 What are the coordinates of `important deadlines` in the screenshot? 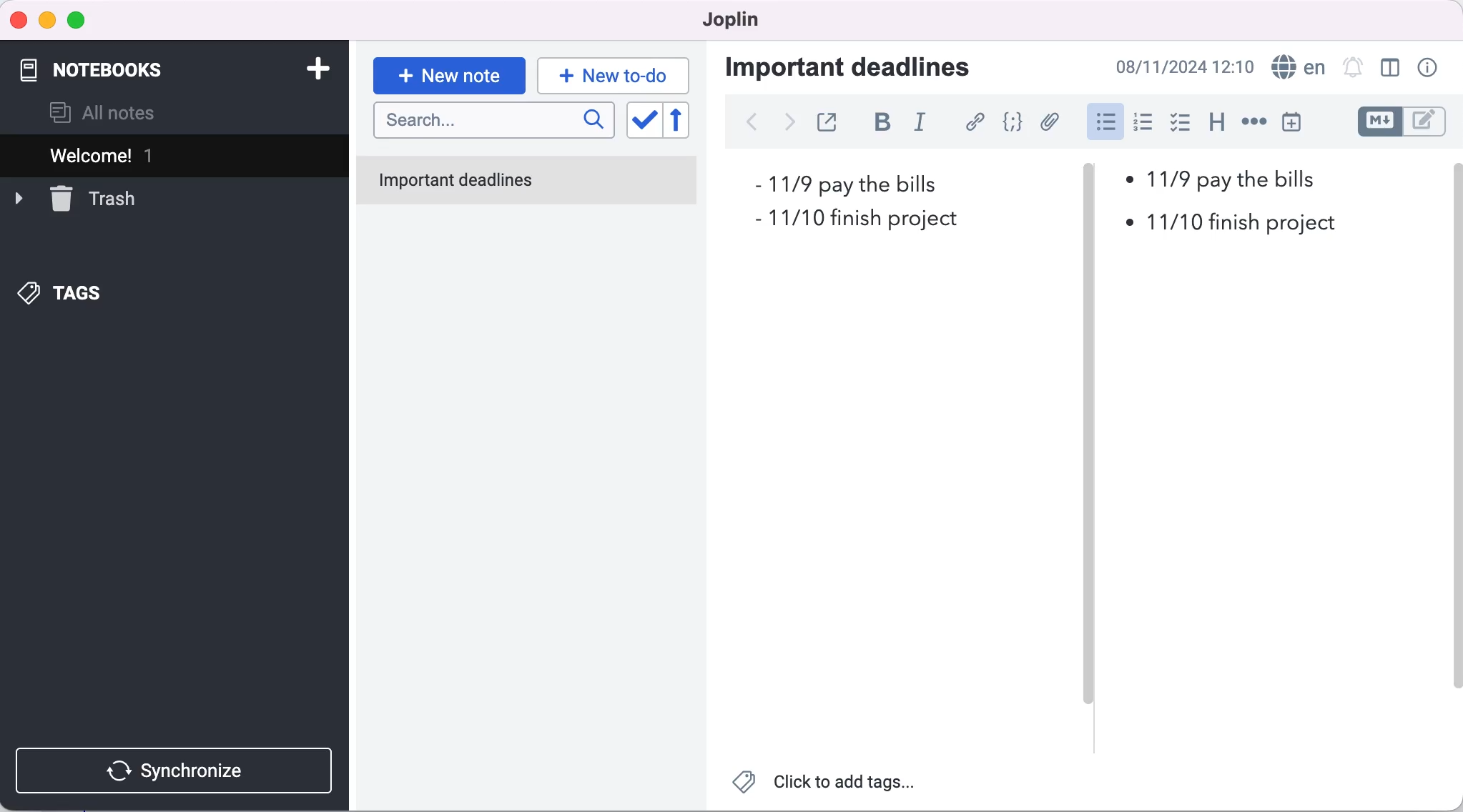 It's located at (863, 70).